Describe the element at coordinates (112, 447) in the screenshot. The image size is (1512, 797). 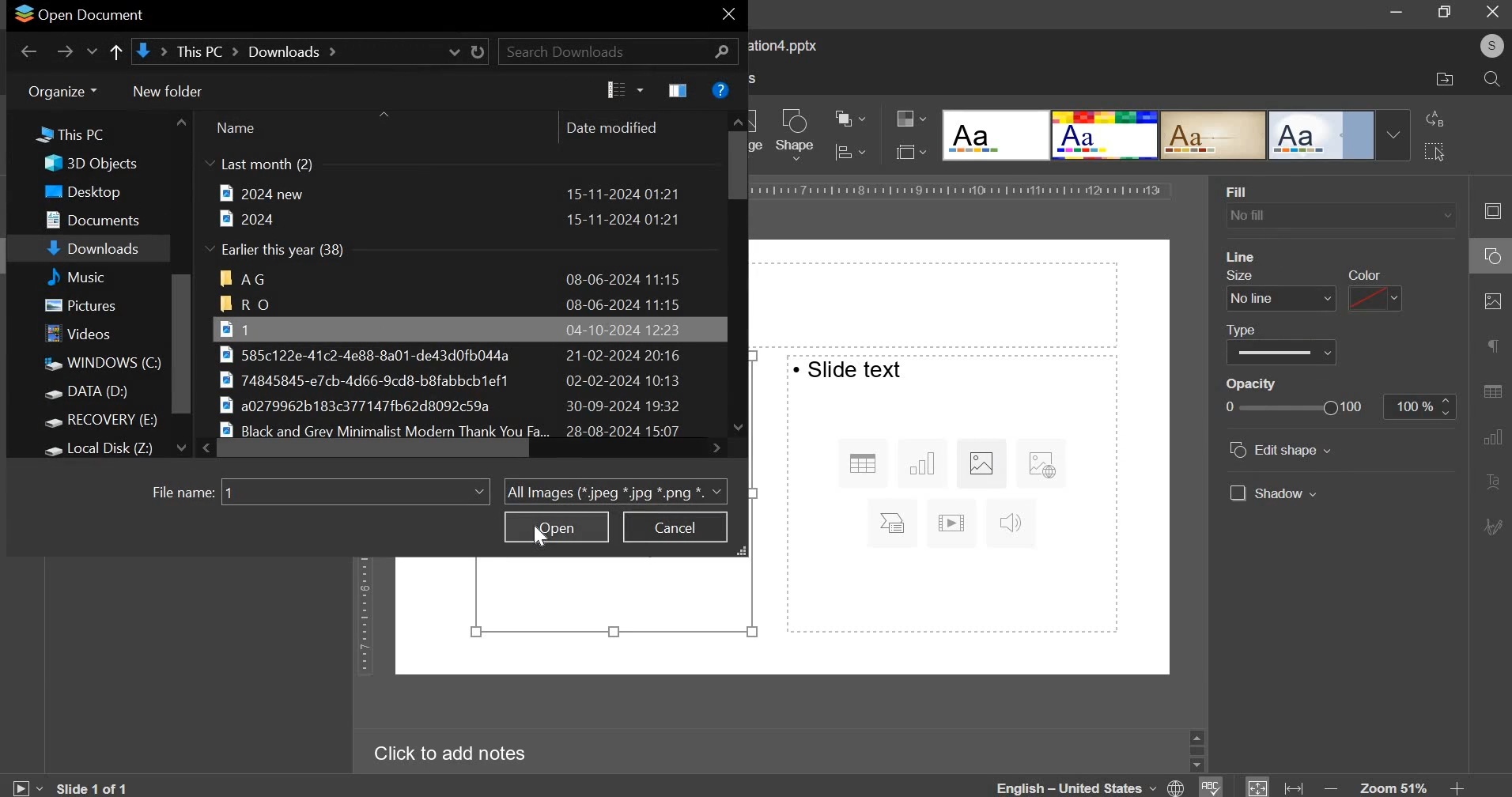
I see `z drive` at that location.